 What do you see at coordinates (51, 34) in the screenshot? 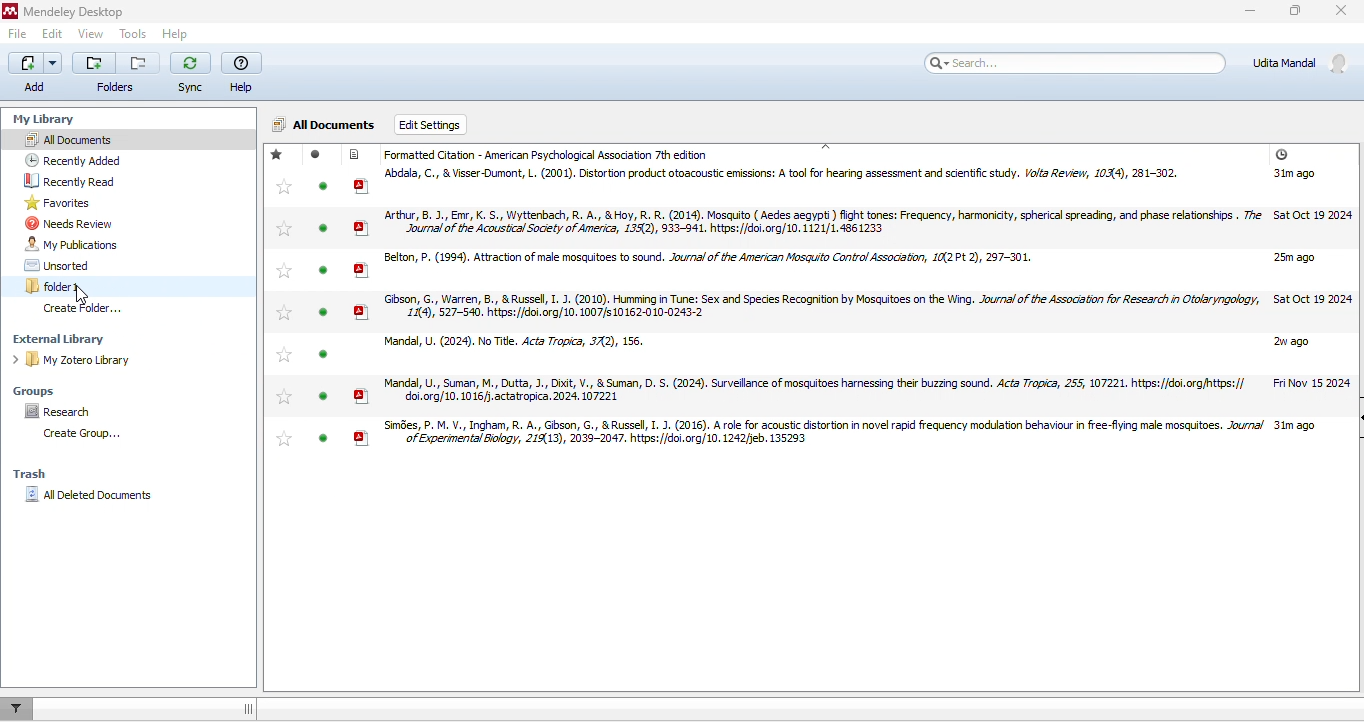
I see `edit` at bounding box center [51, 34].